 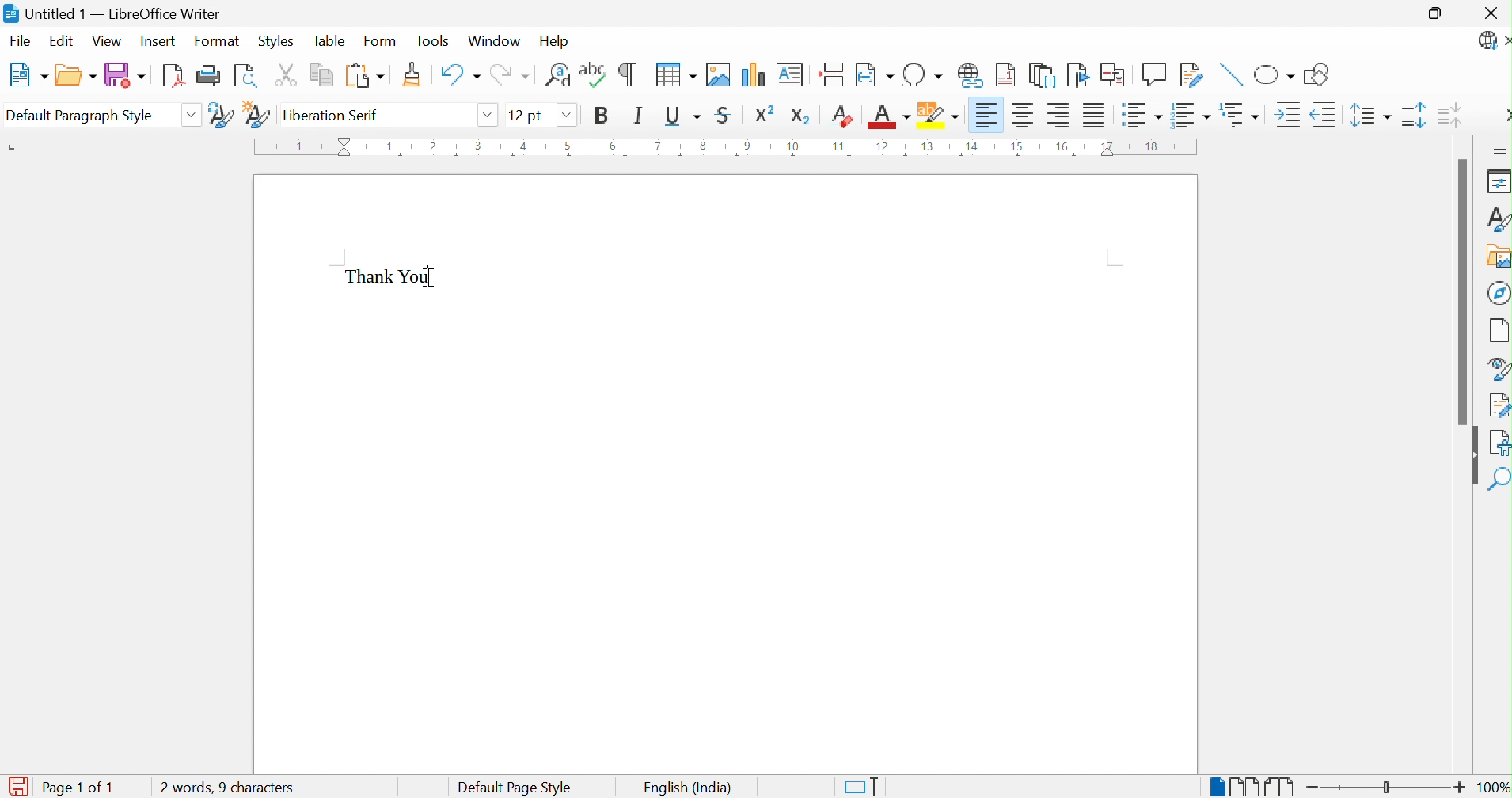 What do you see at coordinates (1238, 115) in the screenshot?
I see `Select Outline Format` at bounding box center [1238, 115].